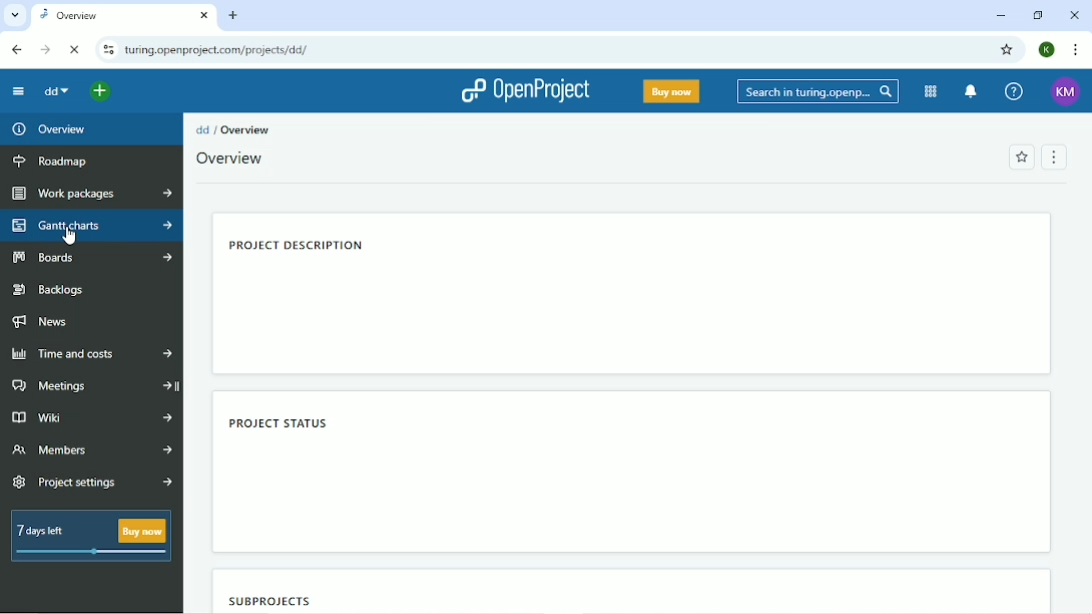  What do you see at coordinates (45, 321) in the screenshot?
I see `News` at bounding box center [45, 321].